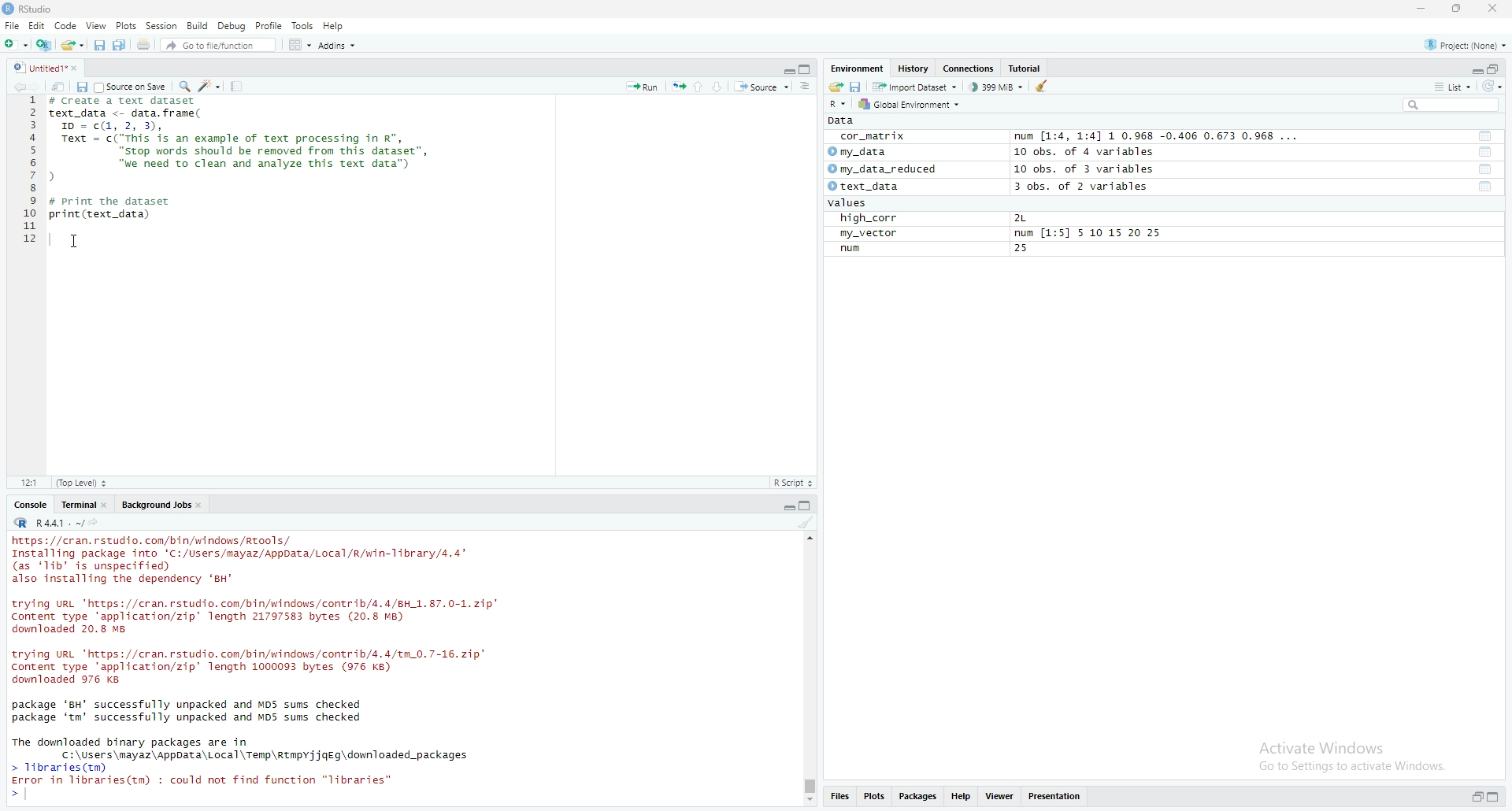  Describe the element at coordinates (1089, 233) in the screenshot. I see `num [1:5] 5 10 15 20 25` at that location.